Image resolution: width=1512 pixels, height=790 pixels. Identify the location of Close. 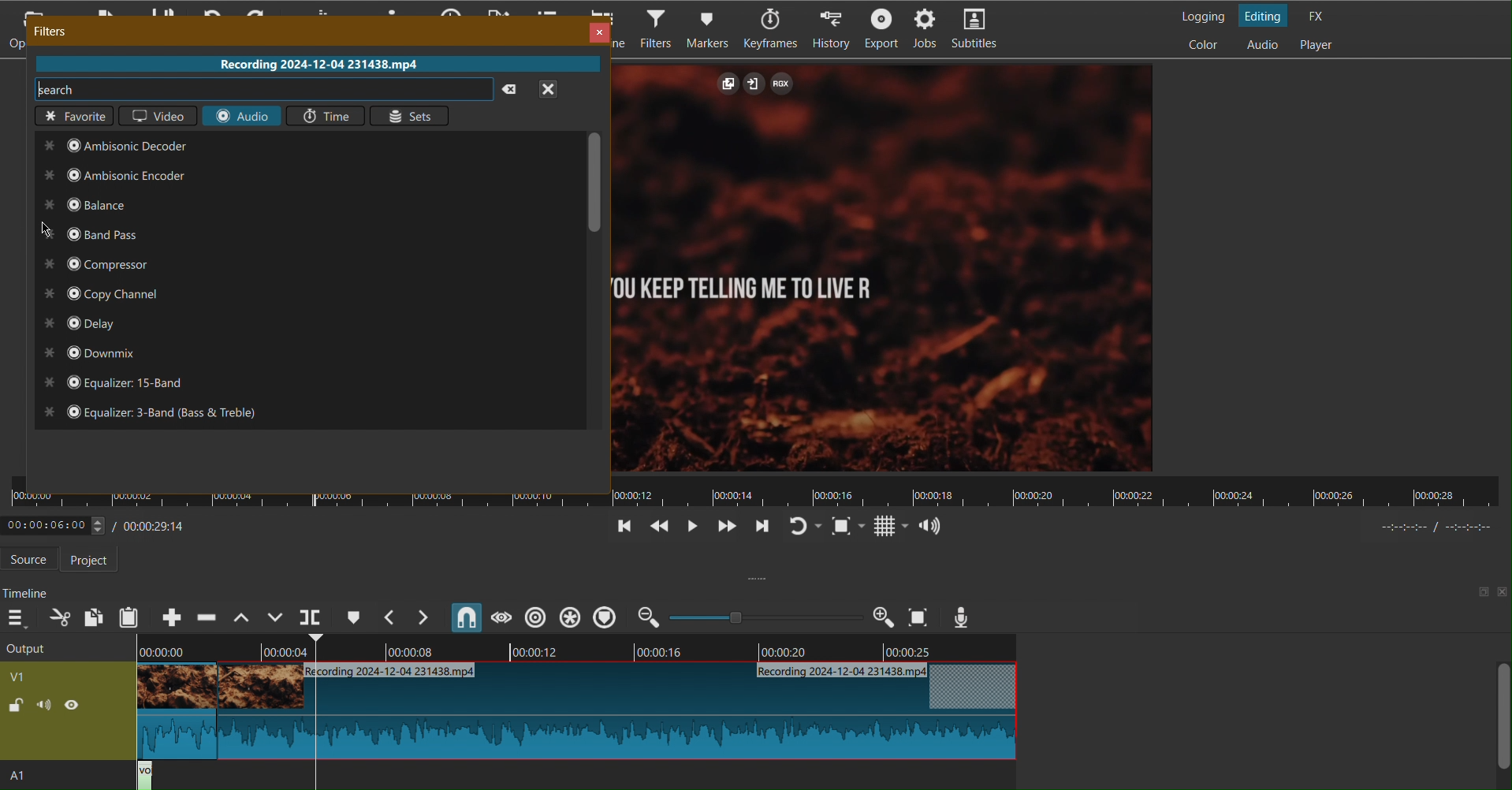
(596, 30).